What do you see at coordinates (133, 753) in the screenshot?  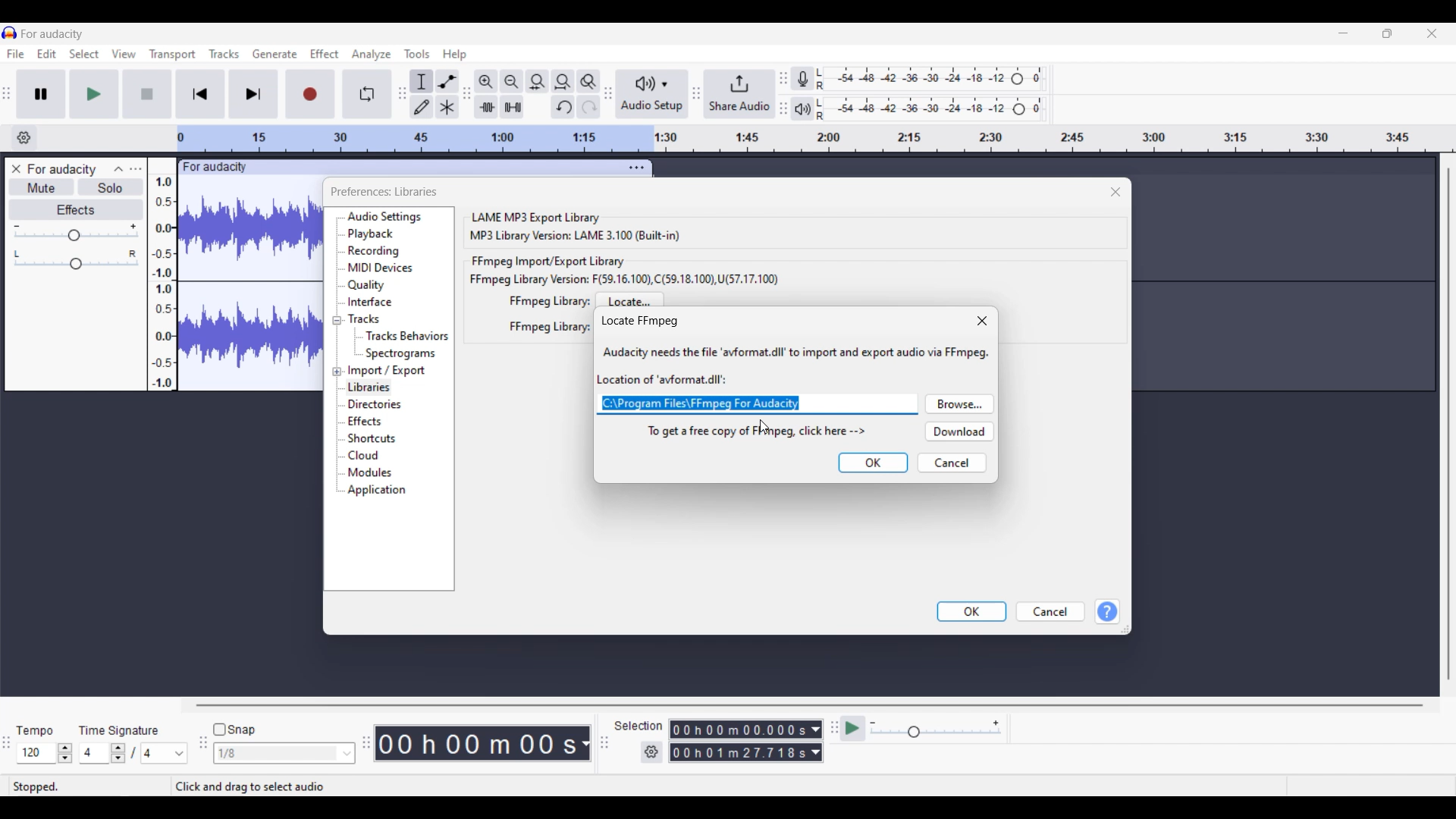 I see `Time signature settings` at bounding box center [133, 753].